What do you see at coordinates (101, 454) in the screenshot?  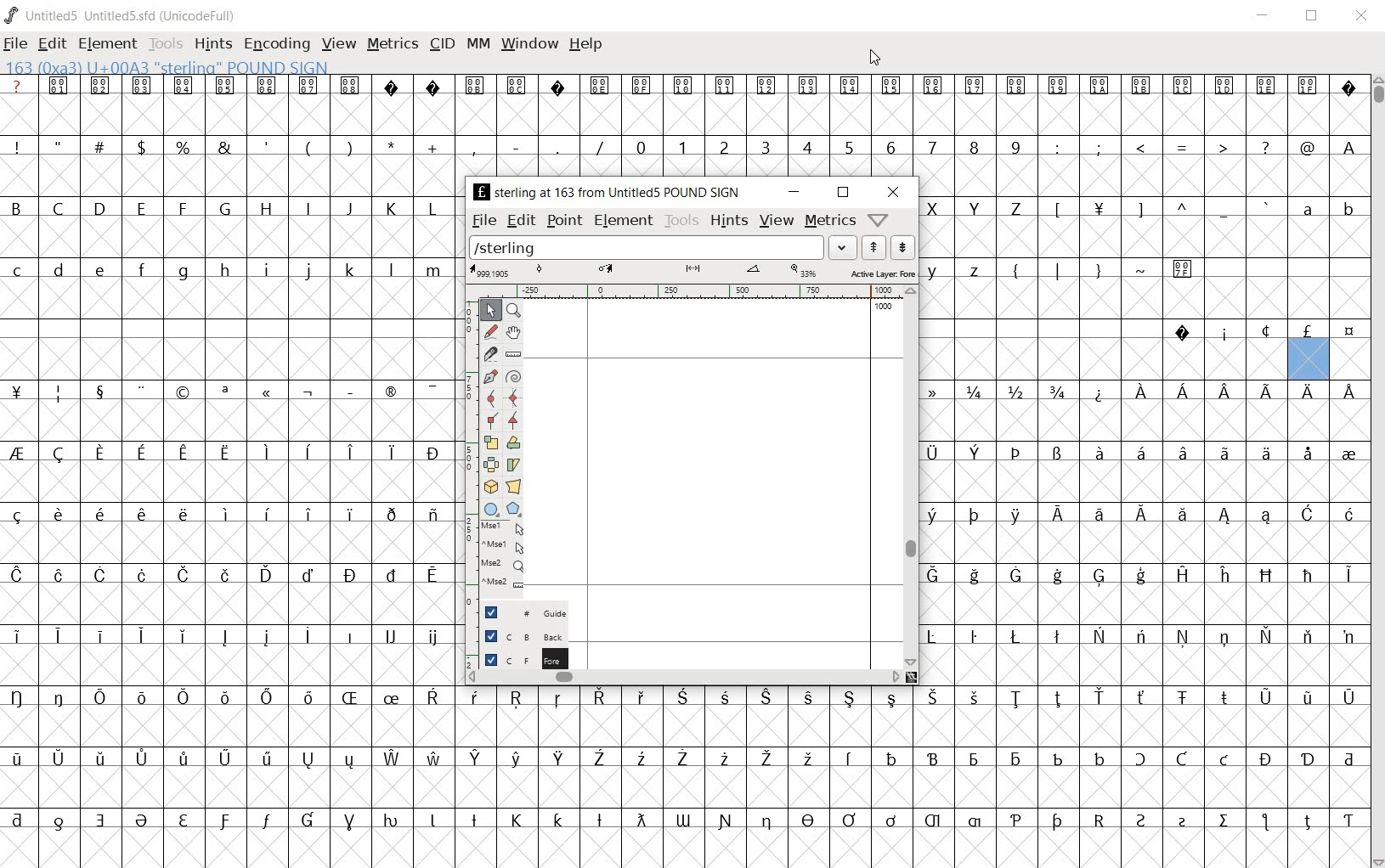 I see `Symbol` at bounding box center [101, 454].